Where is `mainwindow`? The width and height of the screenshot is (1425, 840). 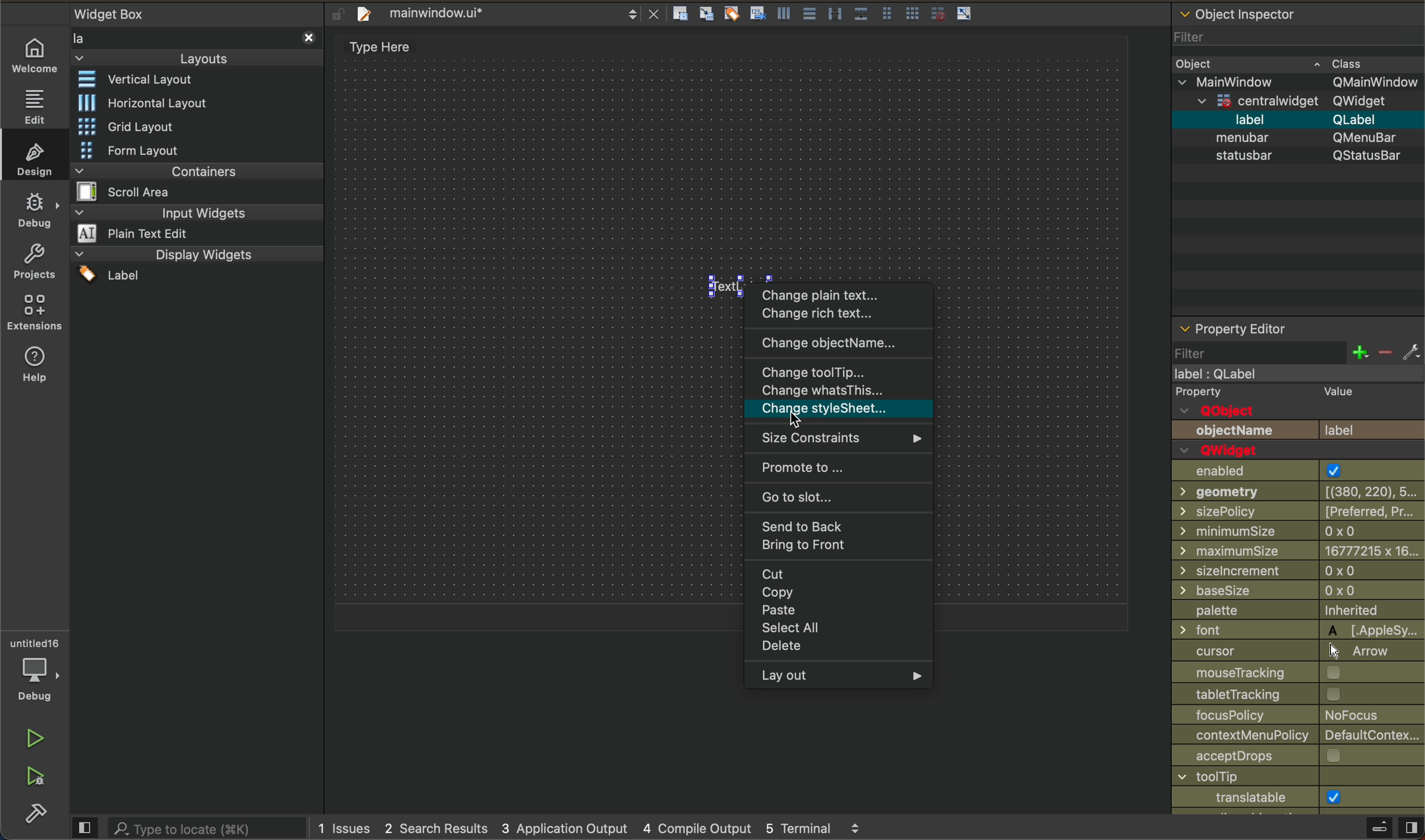
mainwindow is located at coordinates (1300, 82).